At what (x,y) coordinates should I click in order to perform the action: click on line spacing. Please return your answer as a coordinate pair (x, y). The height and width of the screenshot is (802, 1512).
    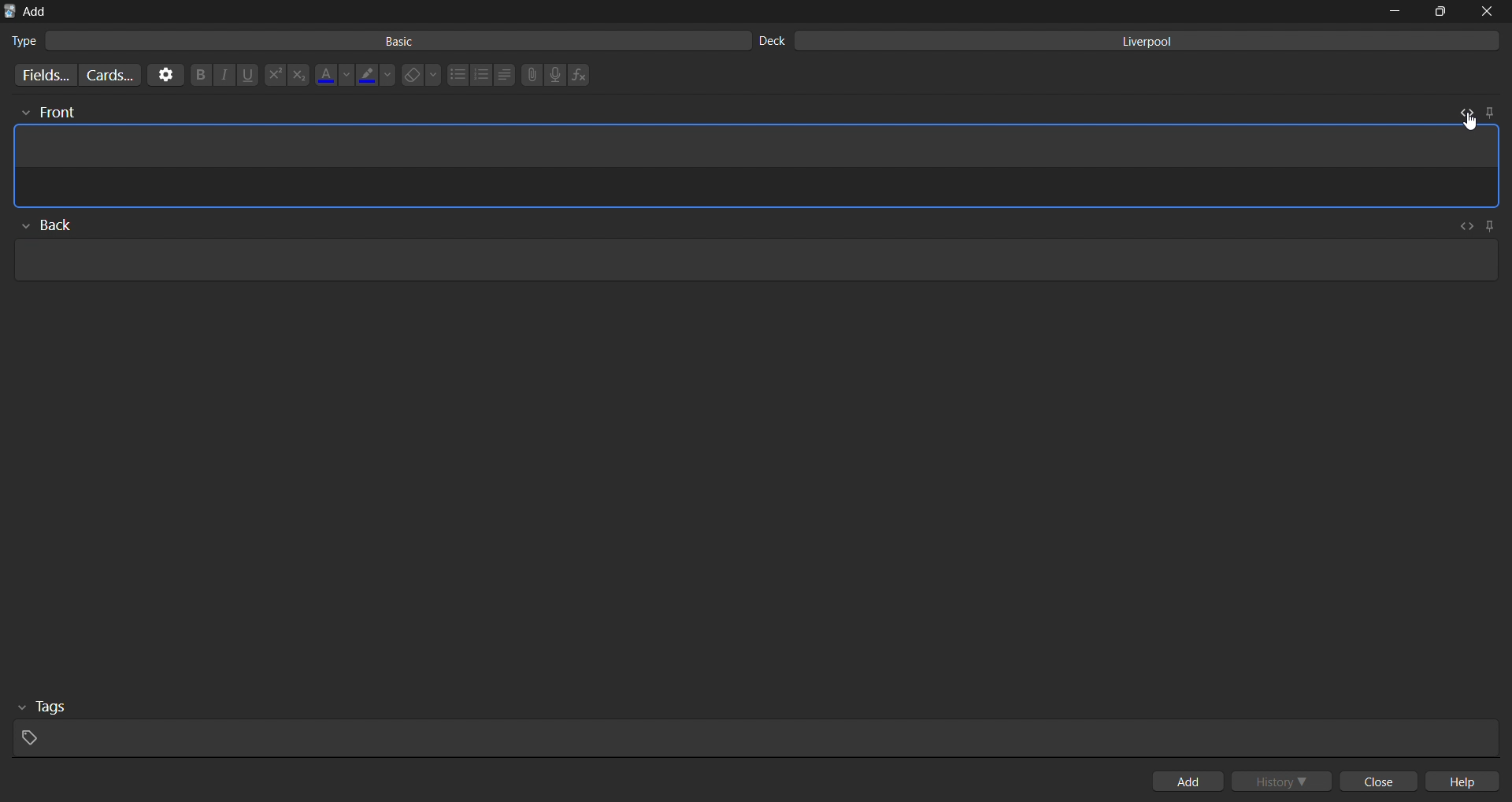
    Looking at the image, I should click on (504, 75).